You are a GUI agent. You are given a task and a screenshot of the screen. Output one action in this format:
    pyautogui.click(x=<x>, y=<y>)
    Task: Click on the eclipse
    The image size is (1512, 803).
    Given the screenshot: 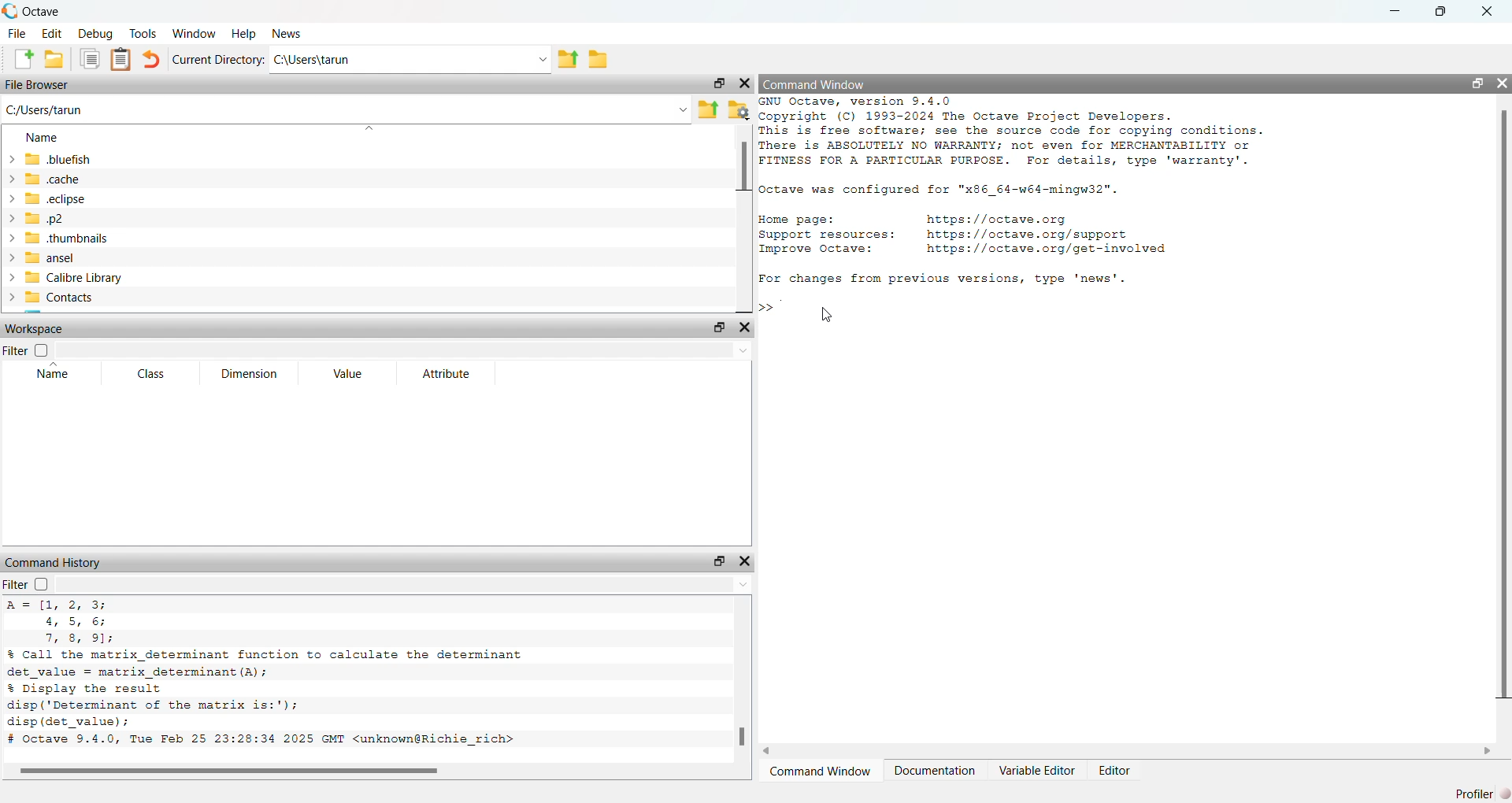 What is the action you would take?
    pyautogui.click(x=50, y=200)
    